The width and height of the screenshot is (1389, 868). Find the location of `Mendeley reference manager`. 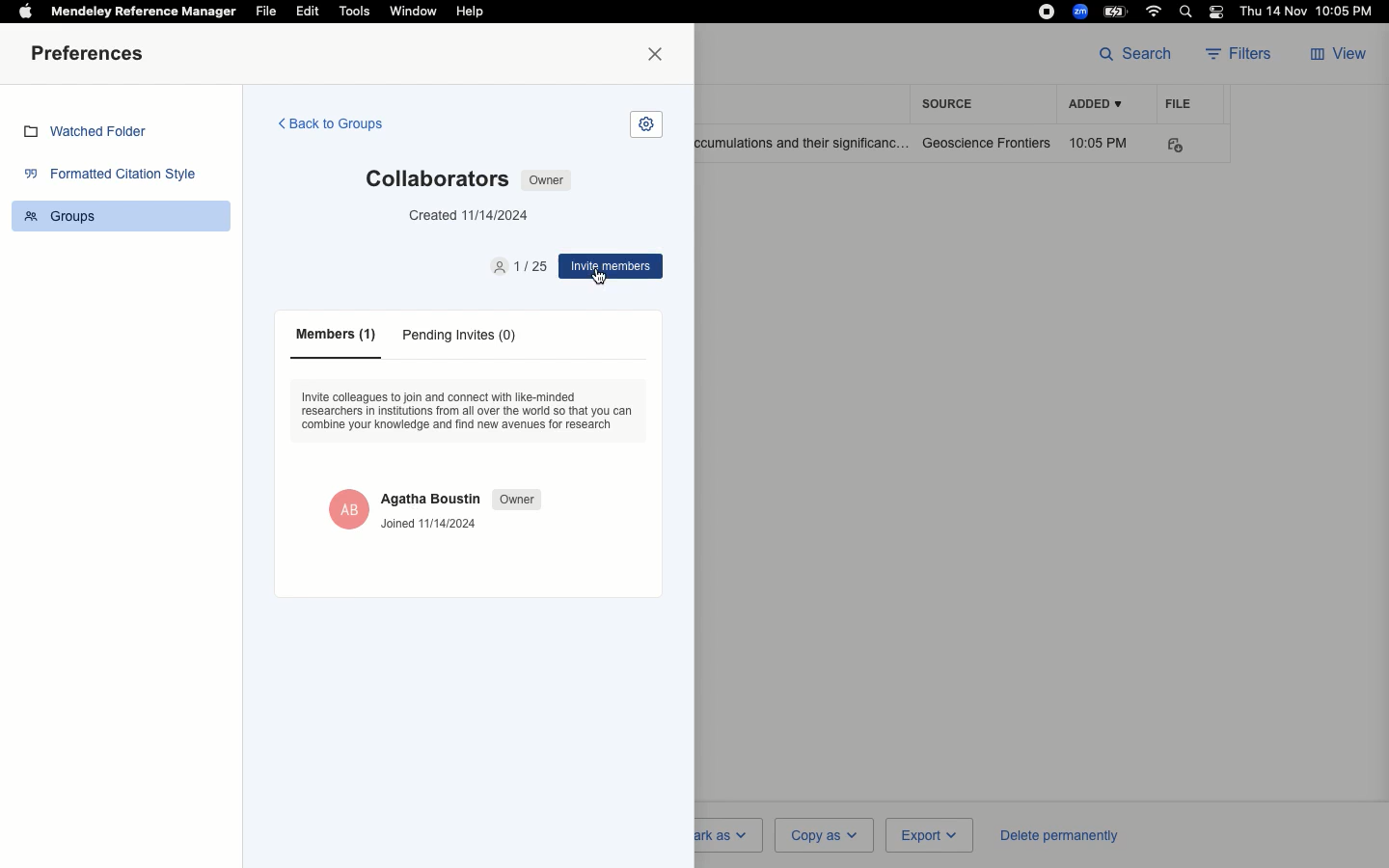

Mendeley reference manager is located at coordinates (145, 12).